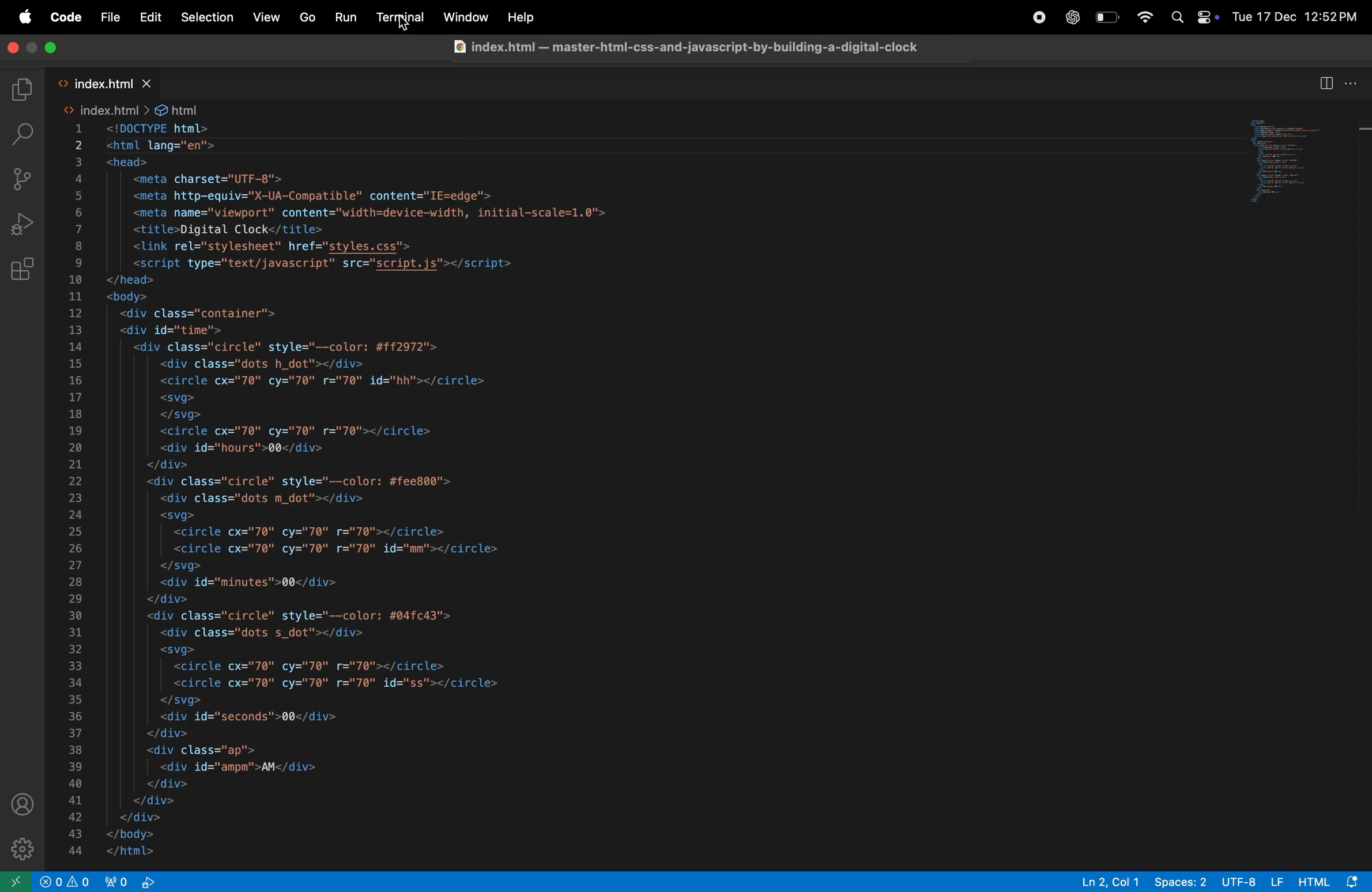 This screenshot has height=892, width=1372. I want to click on File, so click(109, 18).